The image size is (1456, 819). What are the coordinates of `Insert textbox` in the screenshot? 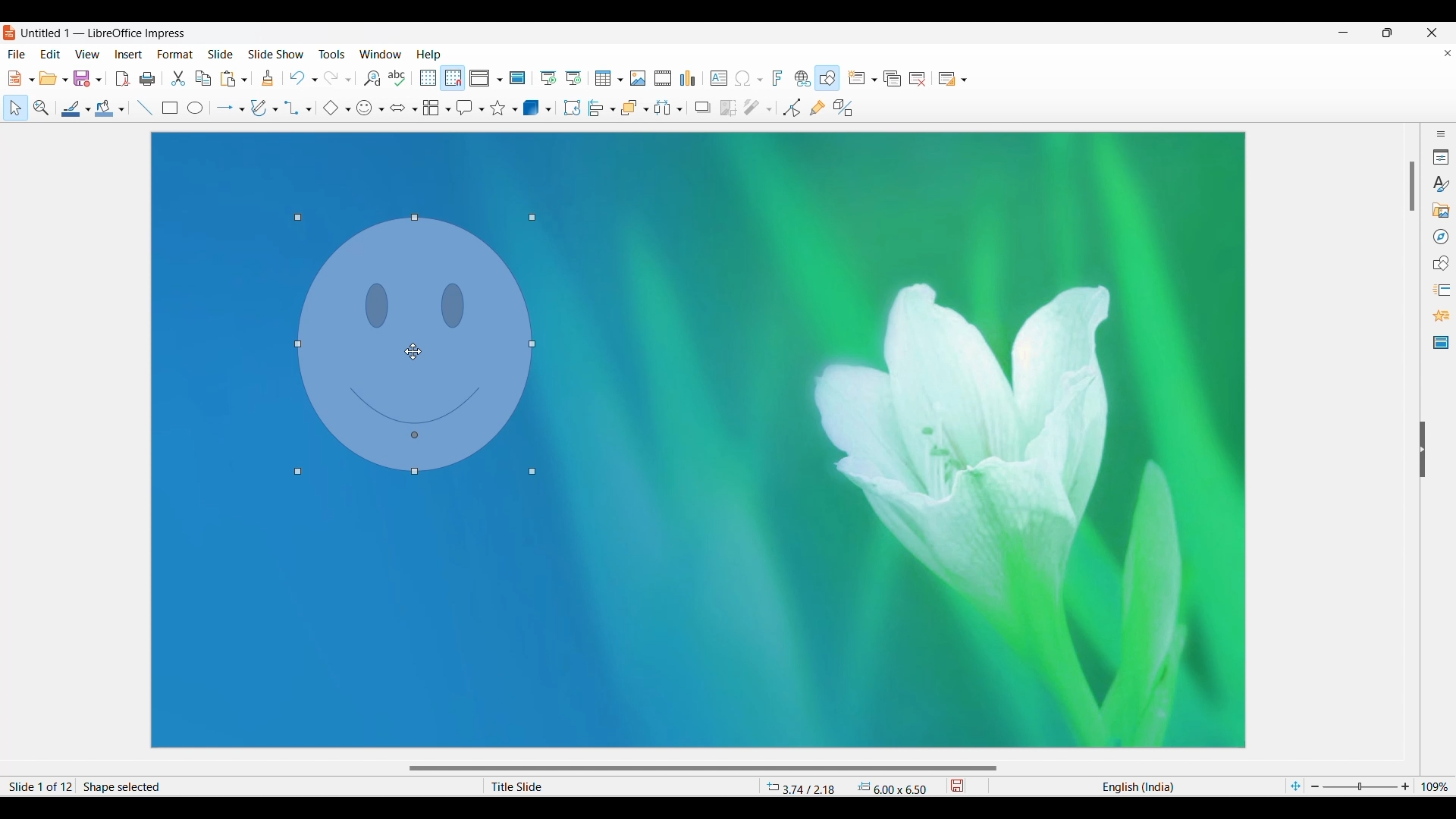 It's located at (719, 79).